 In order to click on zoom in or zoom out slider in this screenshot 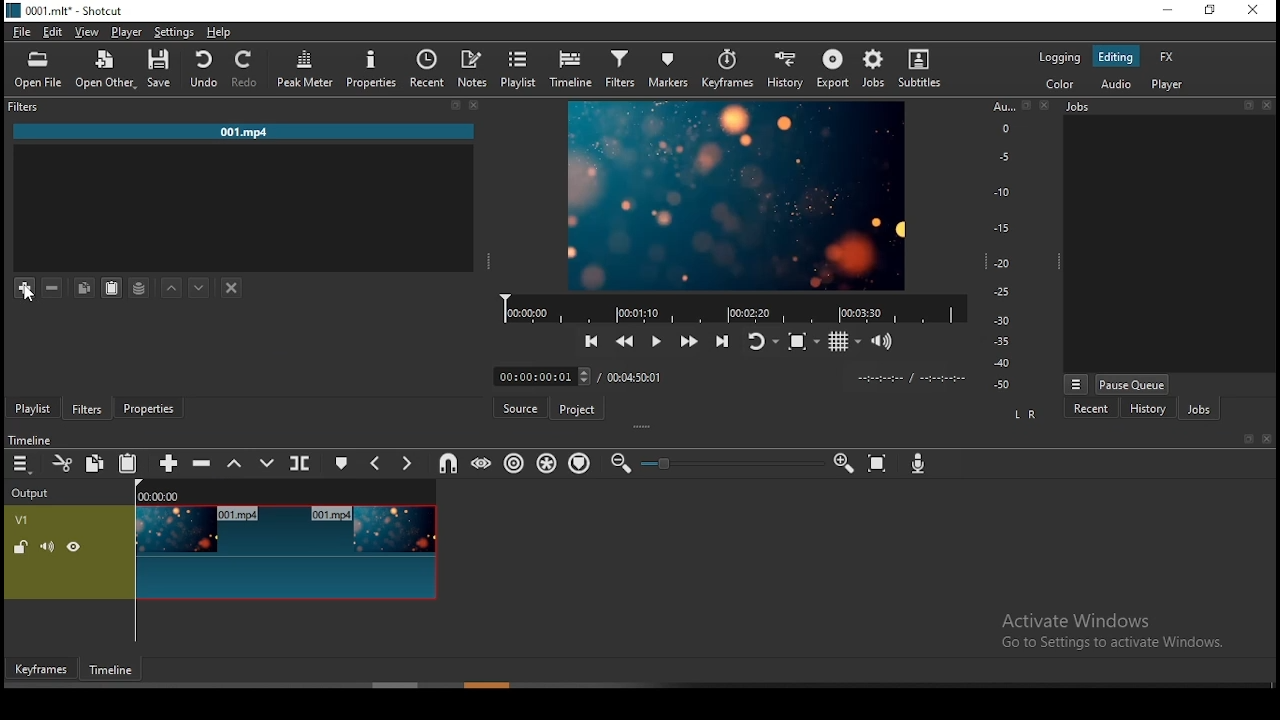, I will do `click(731, 462)`.